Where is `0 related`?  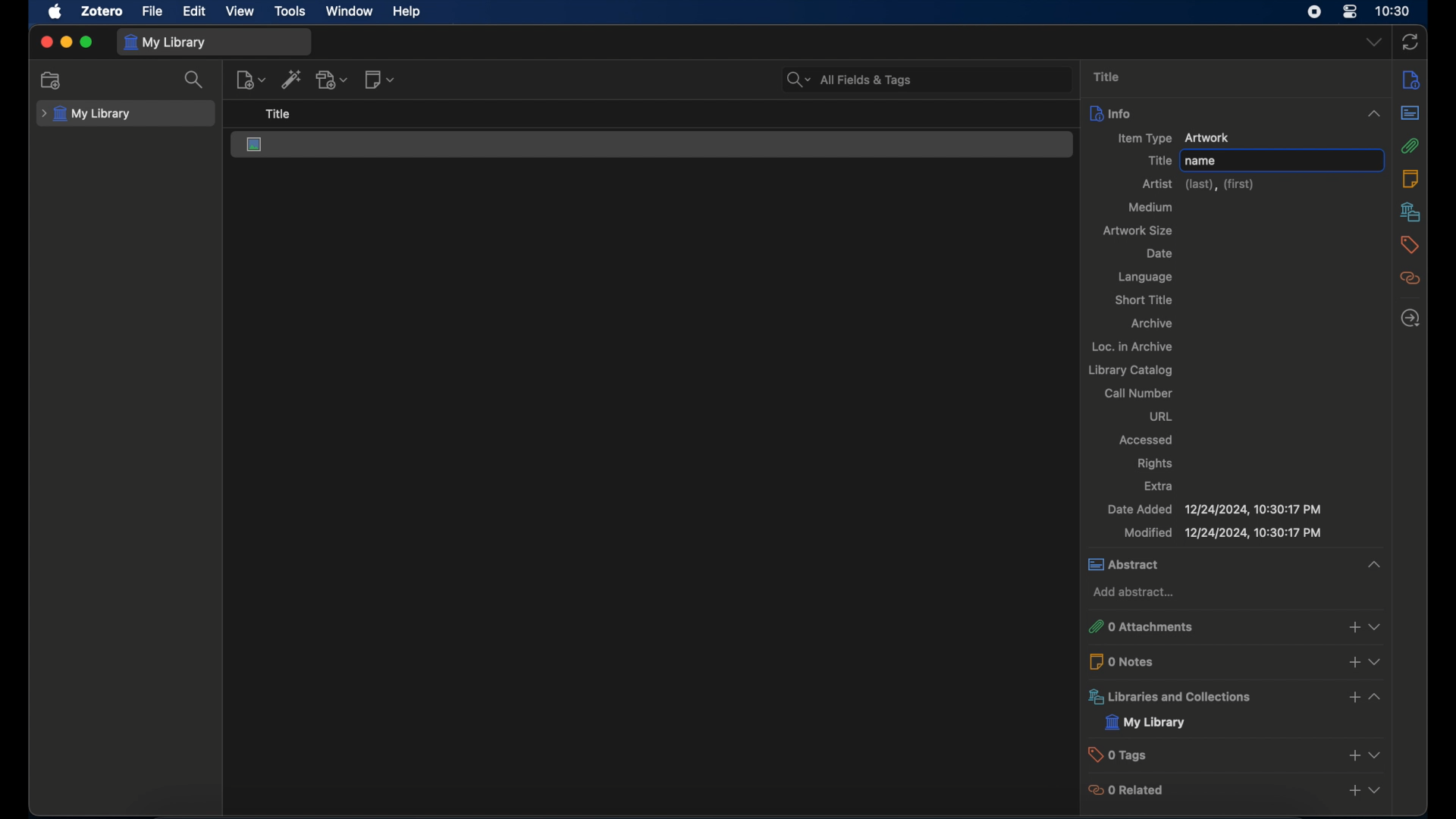
0 related is located at coordinates (1145, 790).